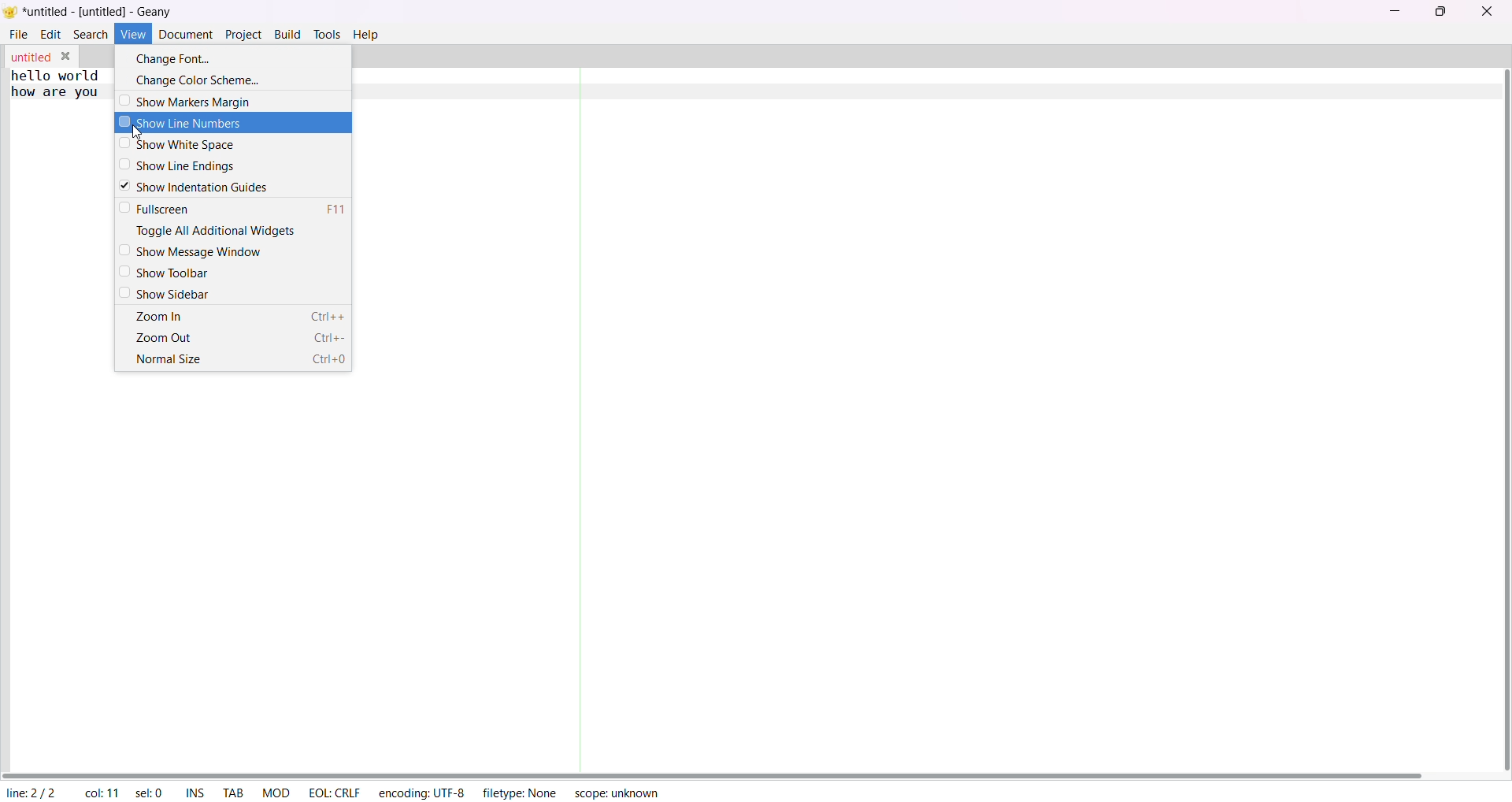 Image resolution: width=1512 pixels, height=802 pixels. I want to click on show sidebar, so click(164, 294).